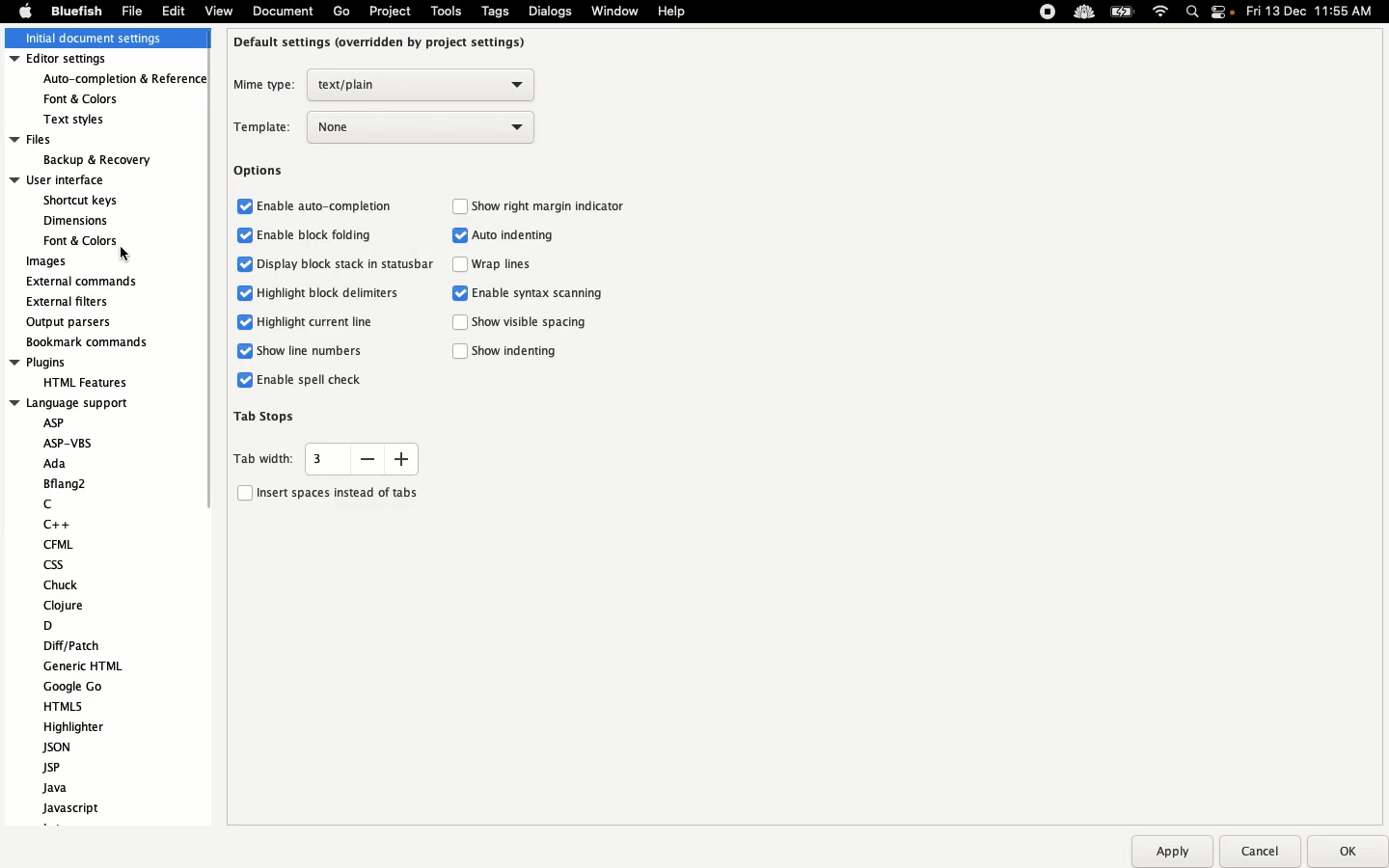 Image resolution: width=1389 pixels, height=868 pixels. I want to click on Default settings, so click(382, 41).